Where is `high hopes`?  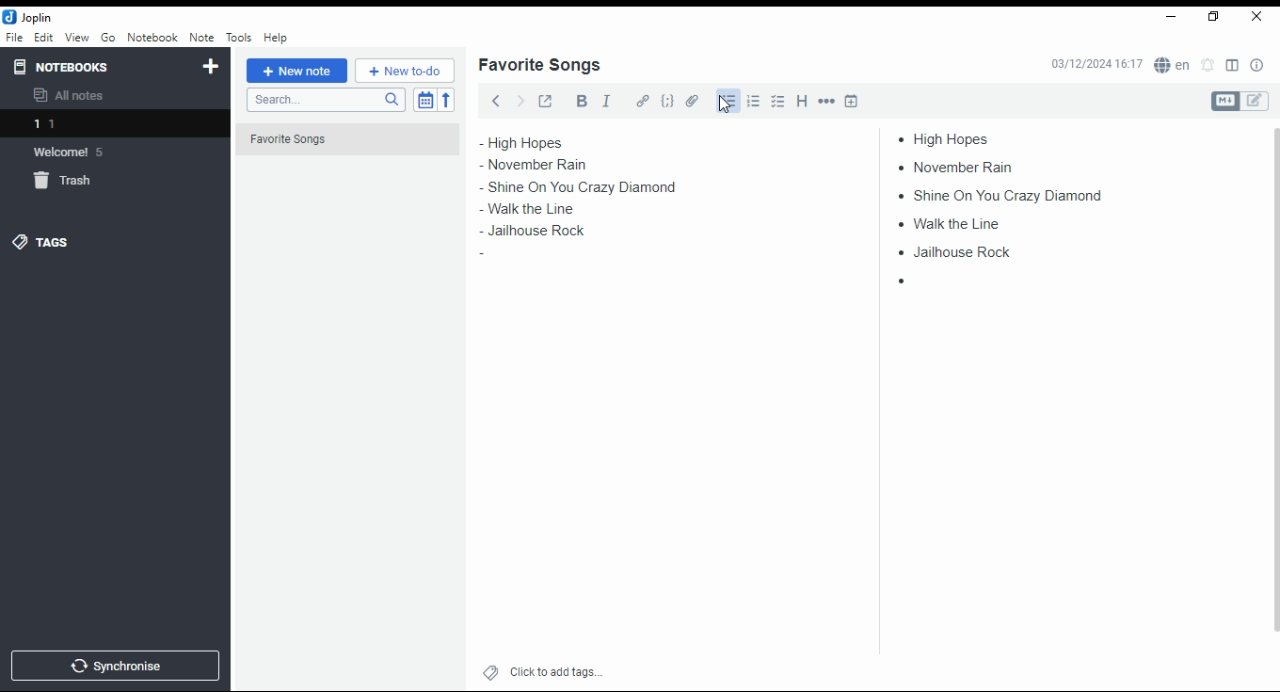 high hopes is located at coordinates (547, 143).